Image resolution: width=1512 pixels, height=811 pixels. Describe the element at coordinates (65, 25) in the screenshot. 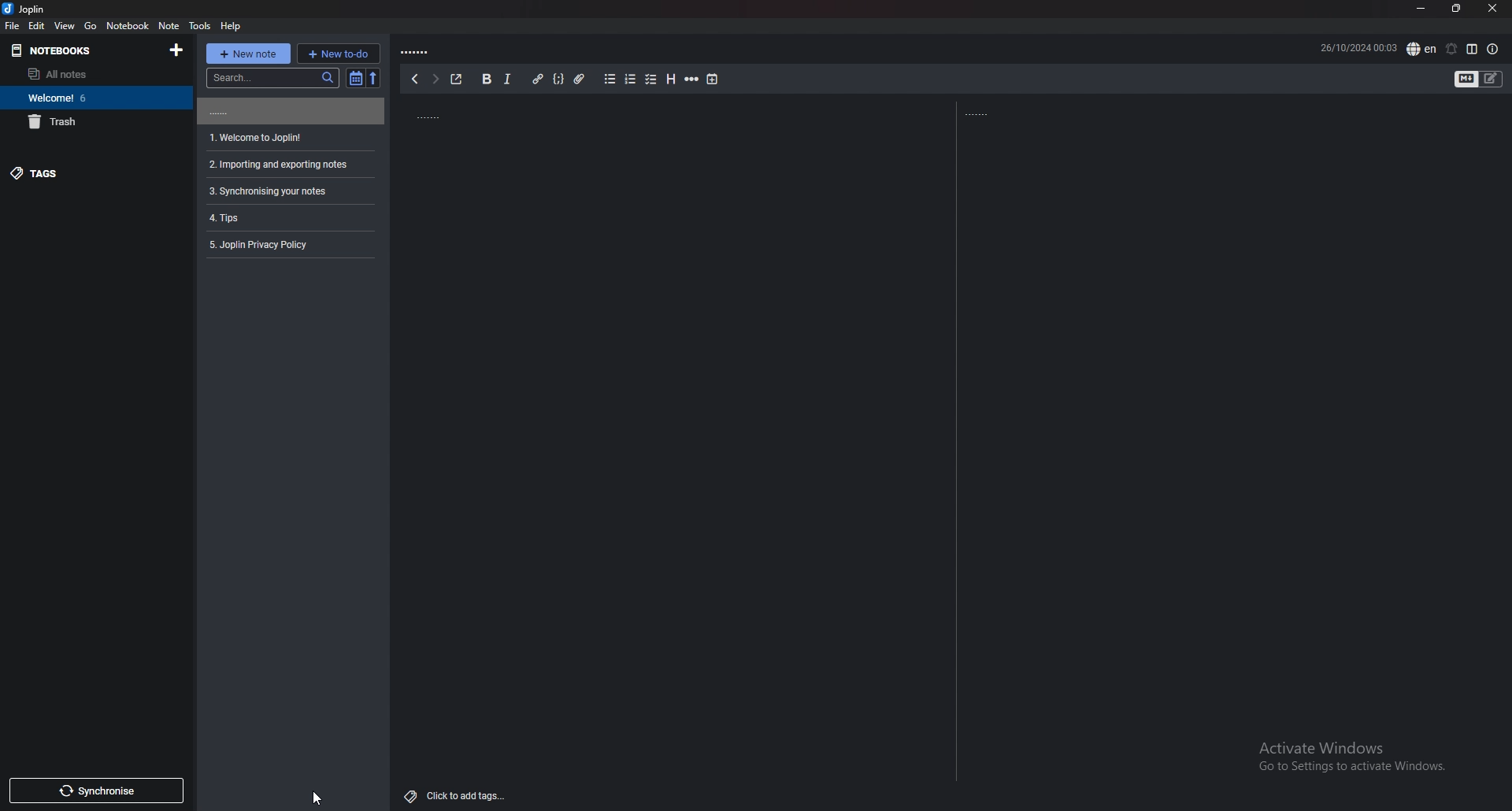

I see `view` at that location.